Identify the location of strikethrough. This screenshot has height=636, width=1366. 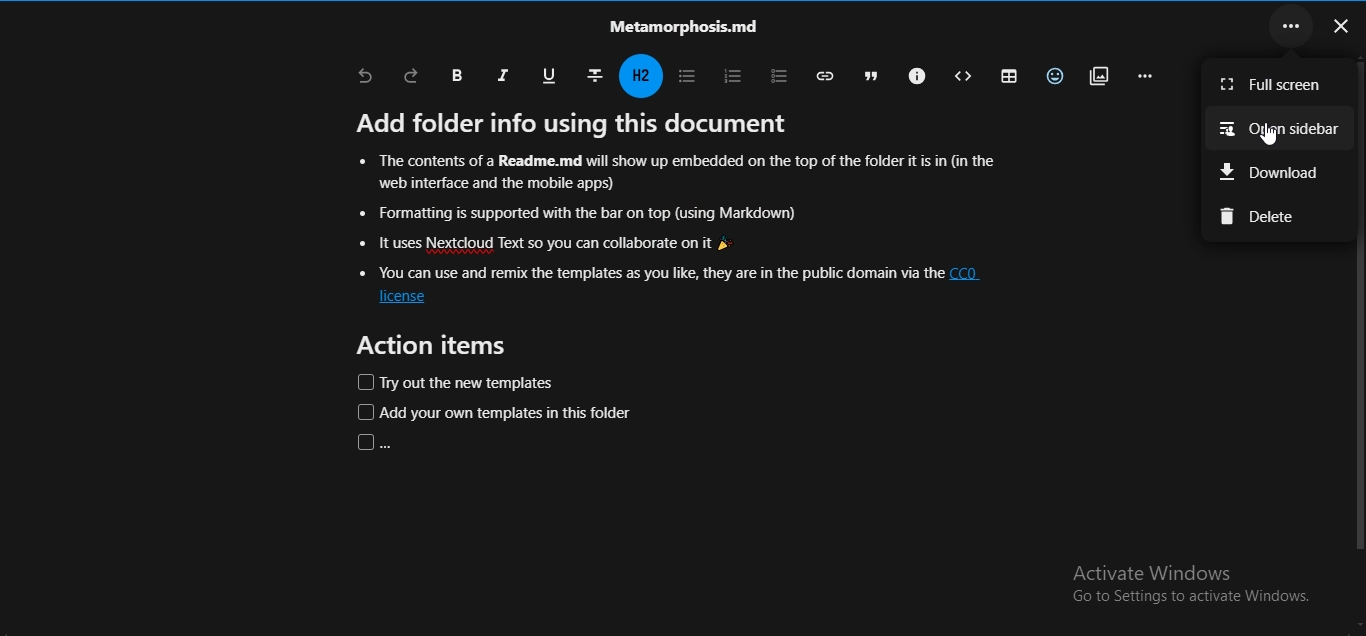
(597, 76).